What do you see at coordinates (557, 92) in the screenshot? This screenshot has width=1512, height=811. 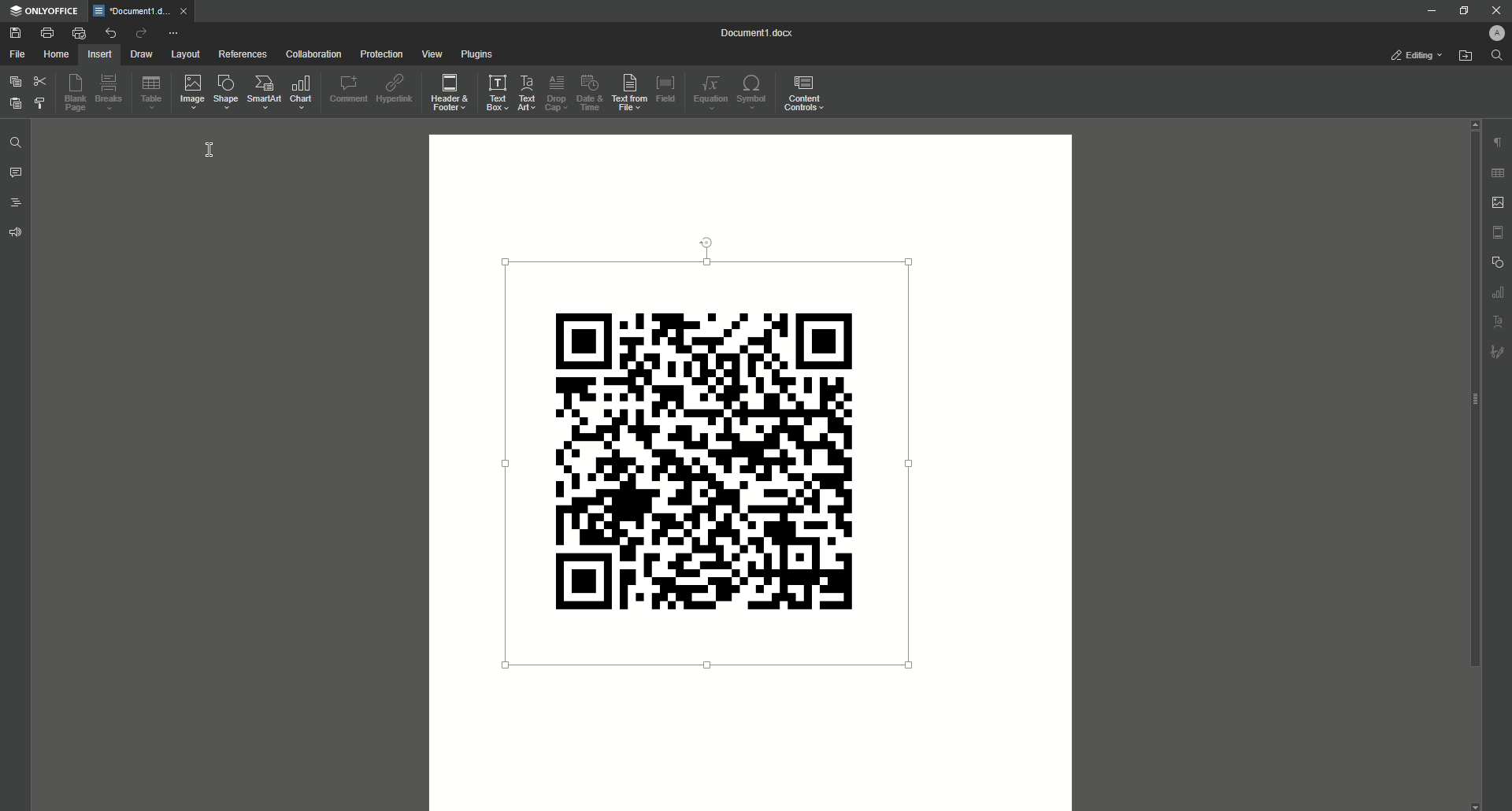 I see `Drop Cap` at bounding box center [557, 92].